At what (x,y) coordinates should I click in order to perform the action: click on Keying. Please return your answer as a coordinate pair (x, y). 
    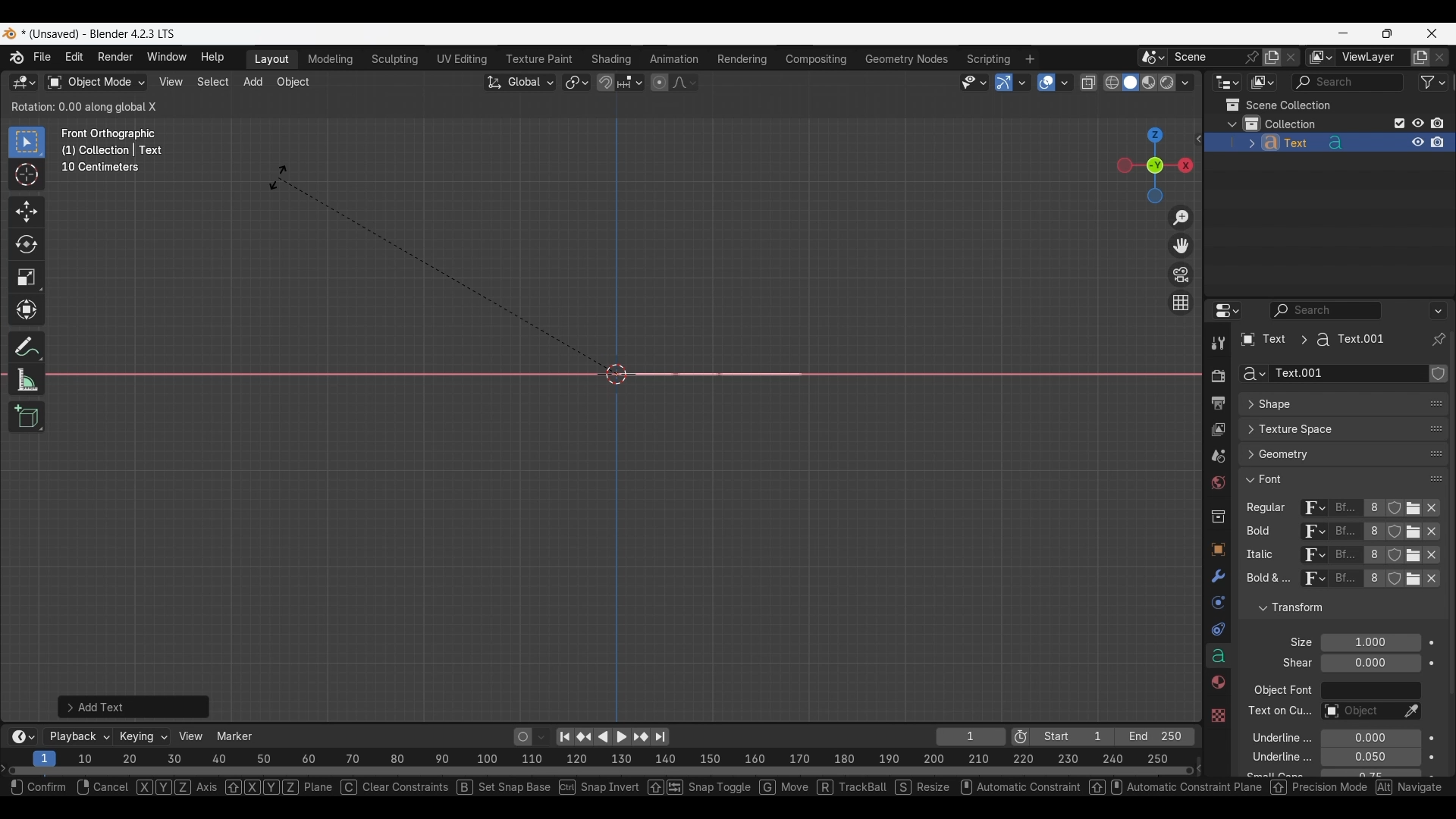
    Looking at the image, I should click on (142, 736).